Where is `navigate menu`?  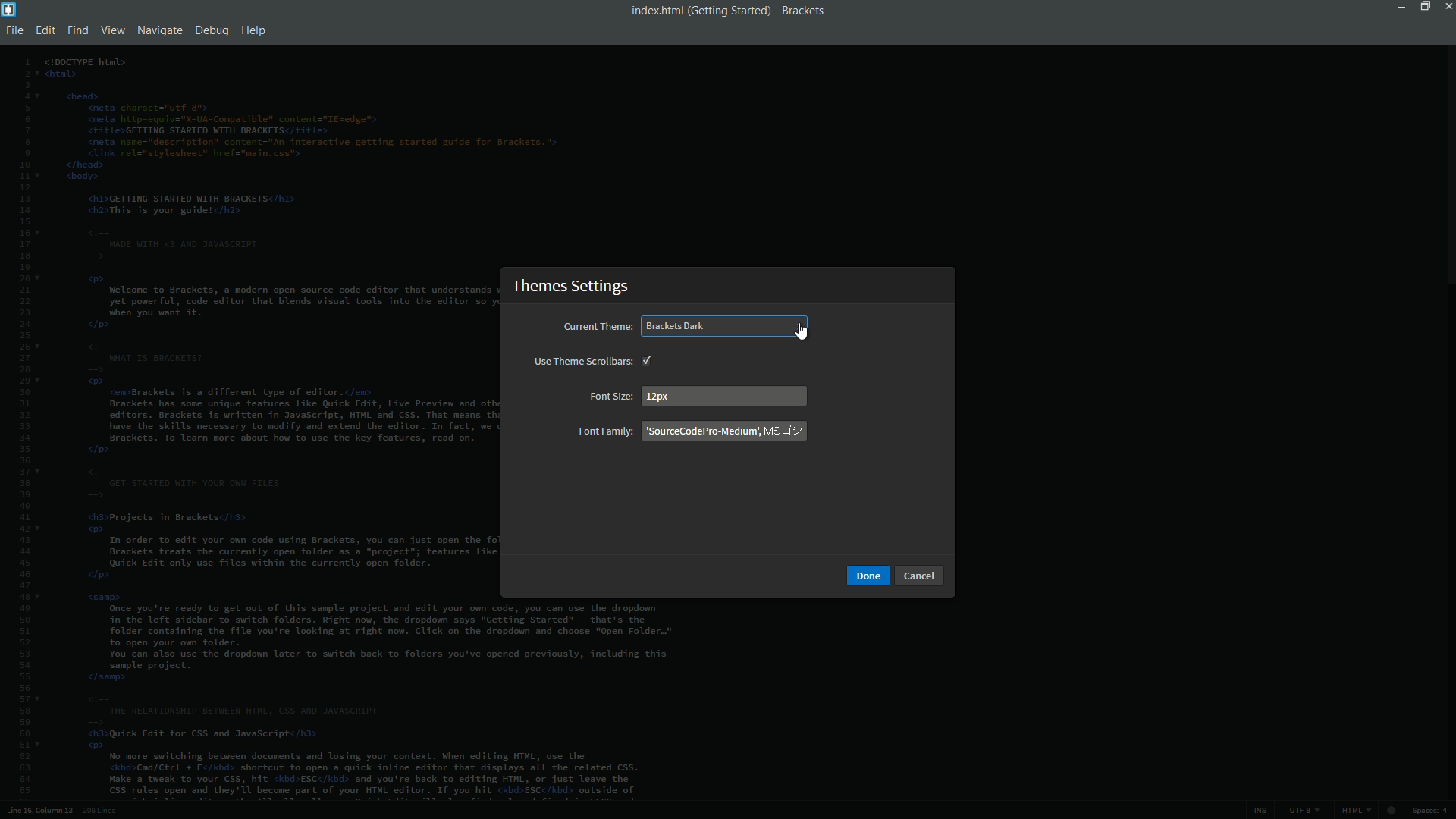 navigate menu is located at coordinates (158, 30).